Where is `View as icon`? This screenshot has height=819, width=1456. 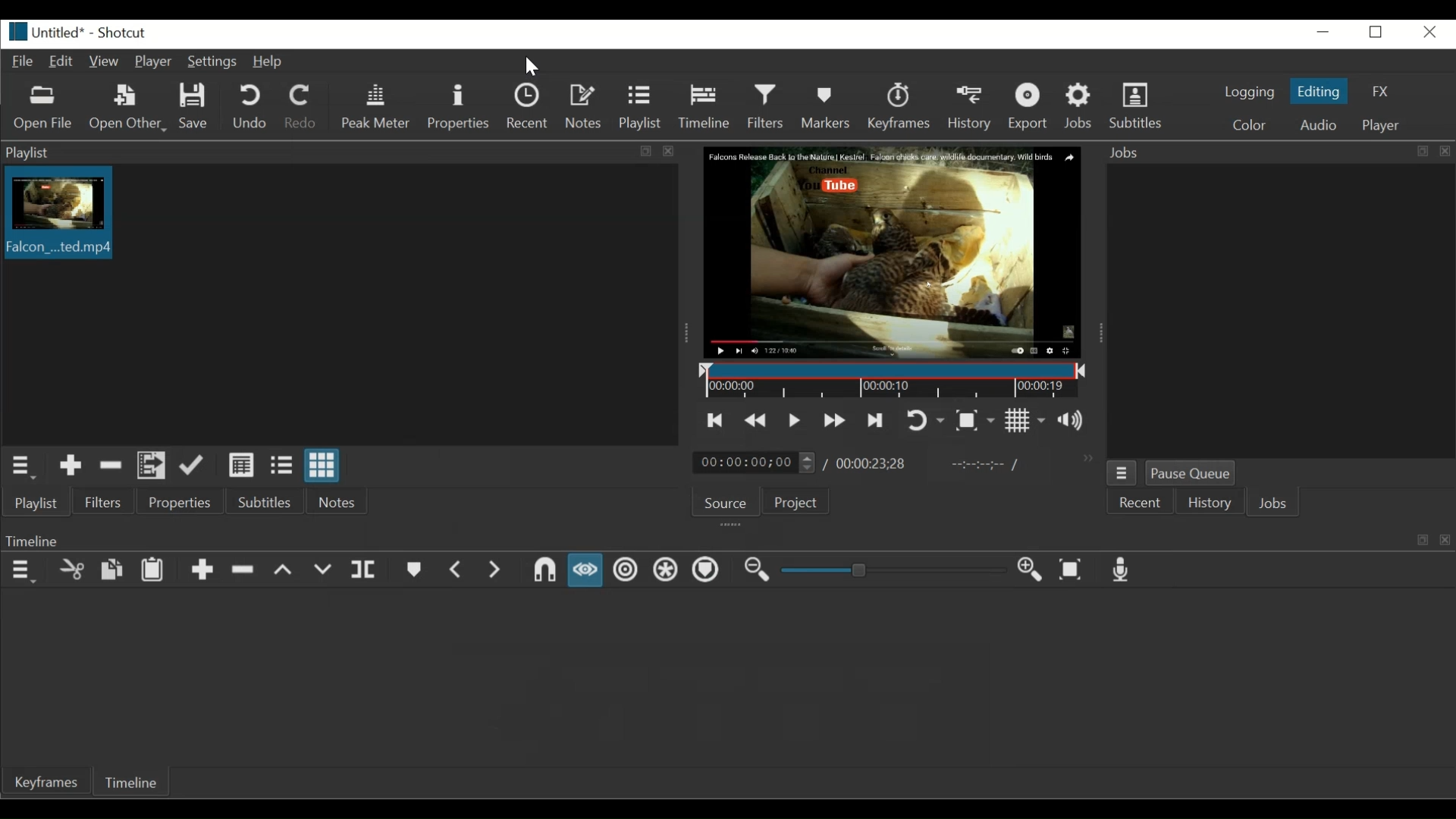
View as icon is located at coordinates (322, 466).